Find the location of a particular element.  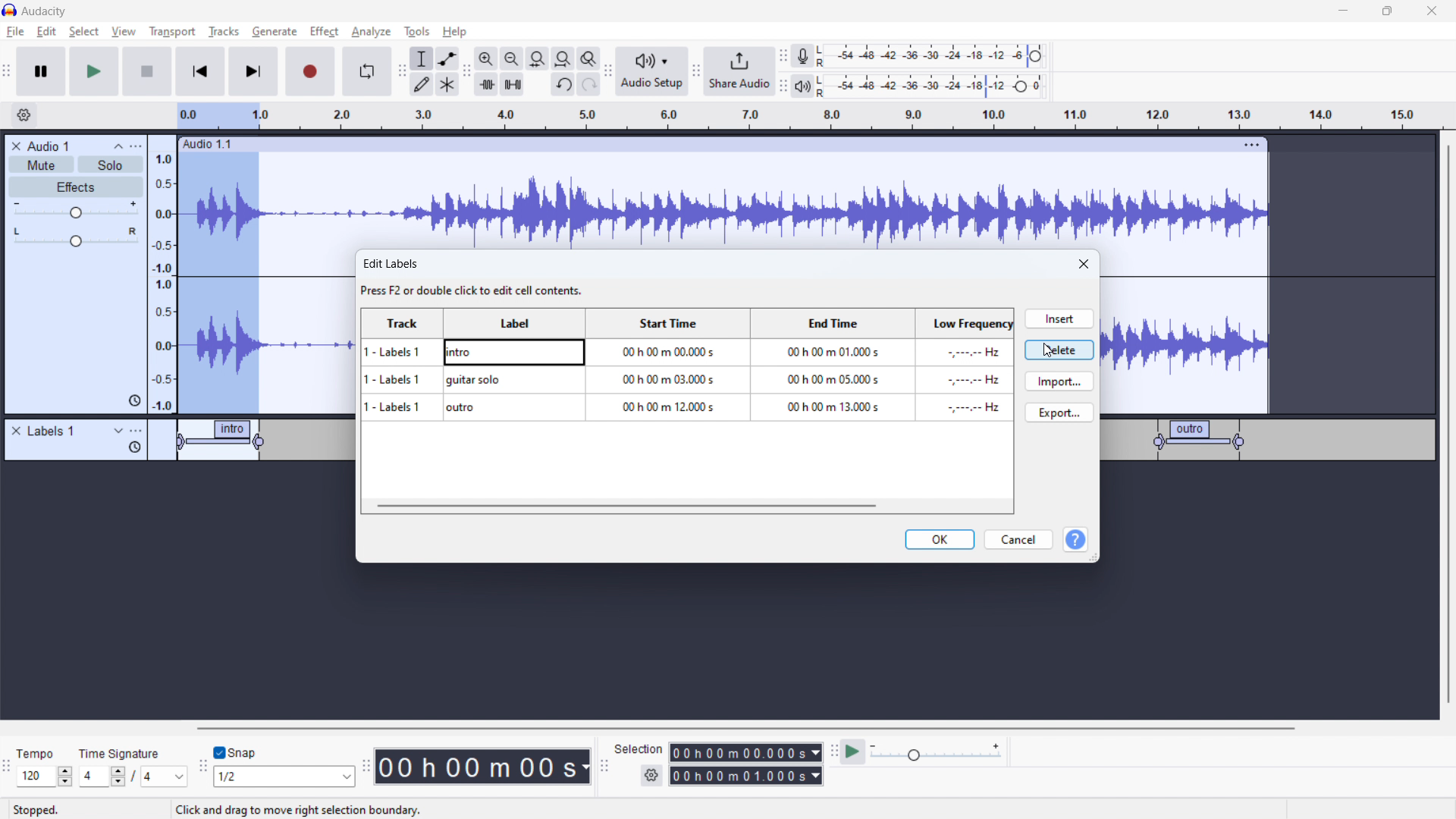

trim audio outside selection is located at coordinates (487, 83).